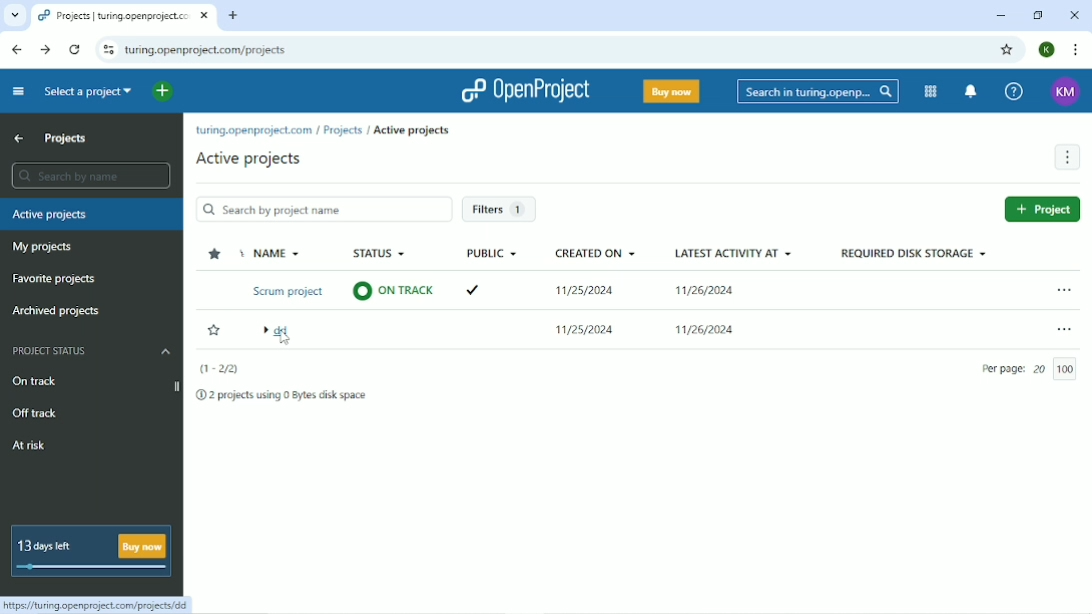 The height and width of the screenshot is (614, 1092). What do you see at coordinates (932, 91) in the screenshot?
I see `Modules` at bounding box center [932, 91].